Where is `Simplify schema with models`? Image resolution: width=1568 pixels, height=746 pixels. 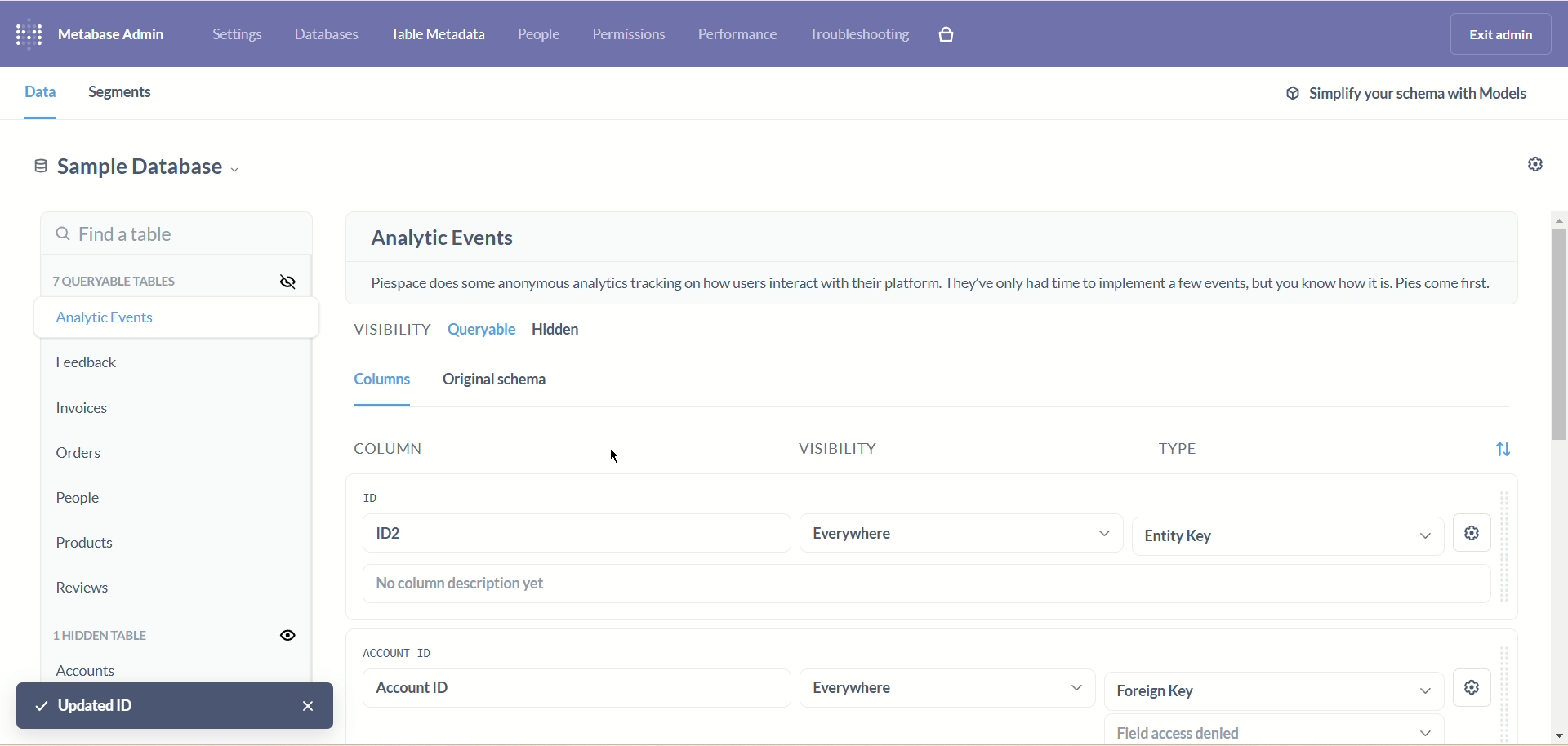
Simplify schema with models is located at coordinates (1402, 97).